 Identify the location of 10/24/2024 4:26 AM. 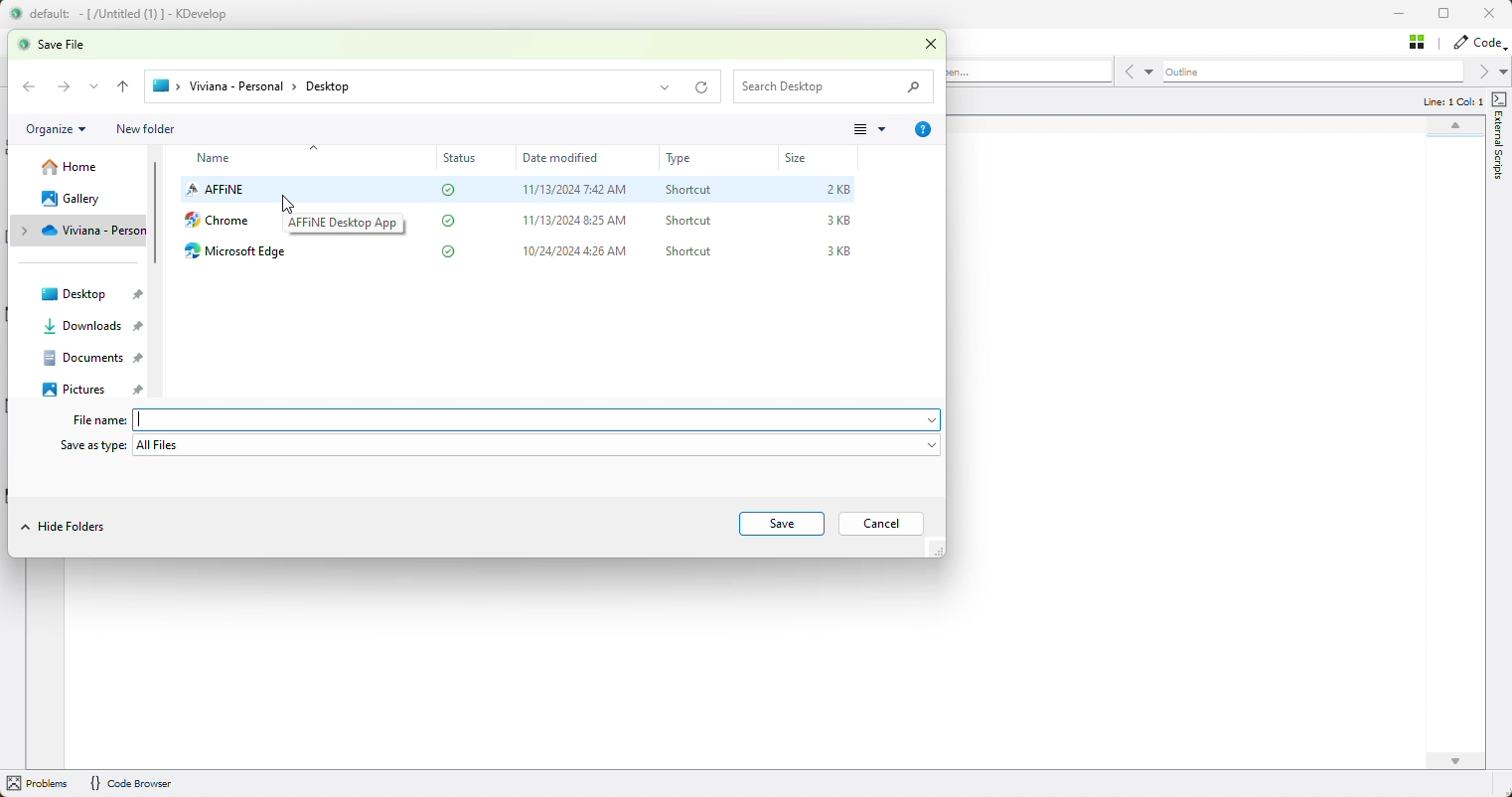
(579, 250).